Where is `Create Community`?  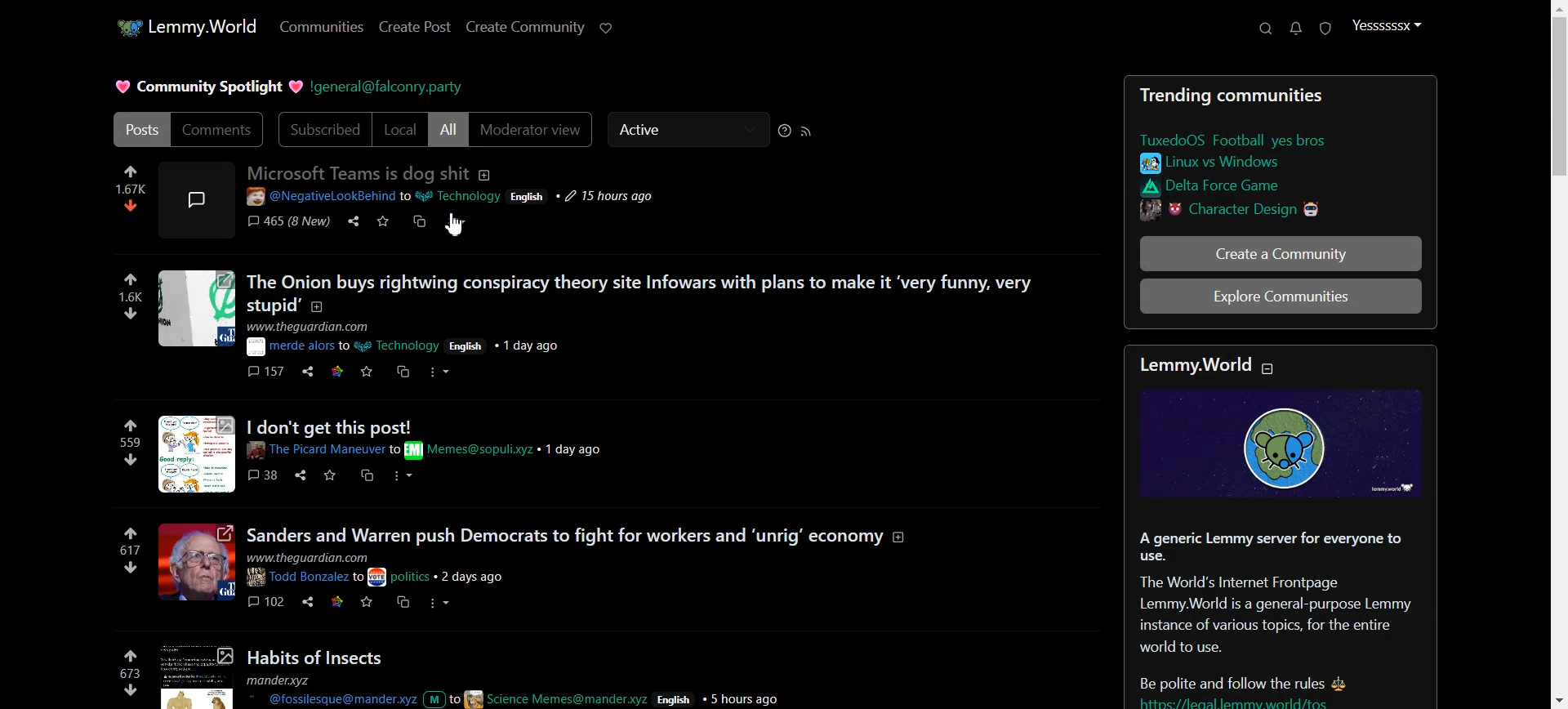 Create Community is located at coordinates (525, 27).